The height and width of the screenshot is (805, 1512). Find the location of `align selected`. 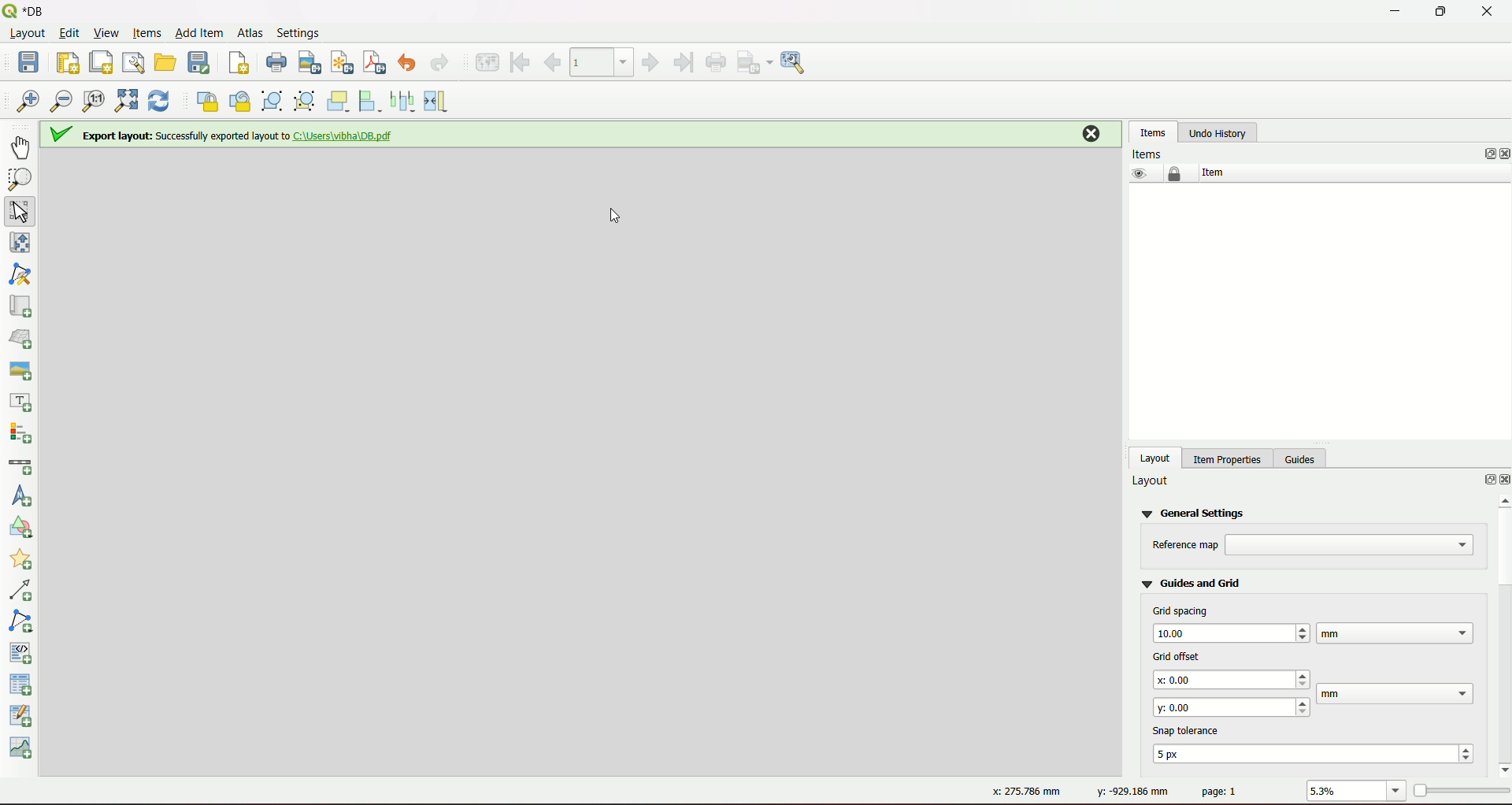

align selected is located at coordinates (372, 101).